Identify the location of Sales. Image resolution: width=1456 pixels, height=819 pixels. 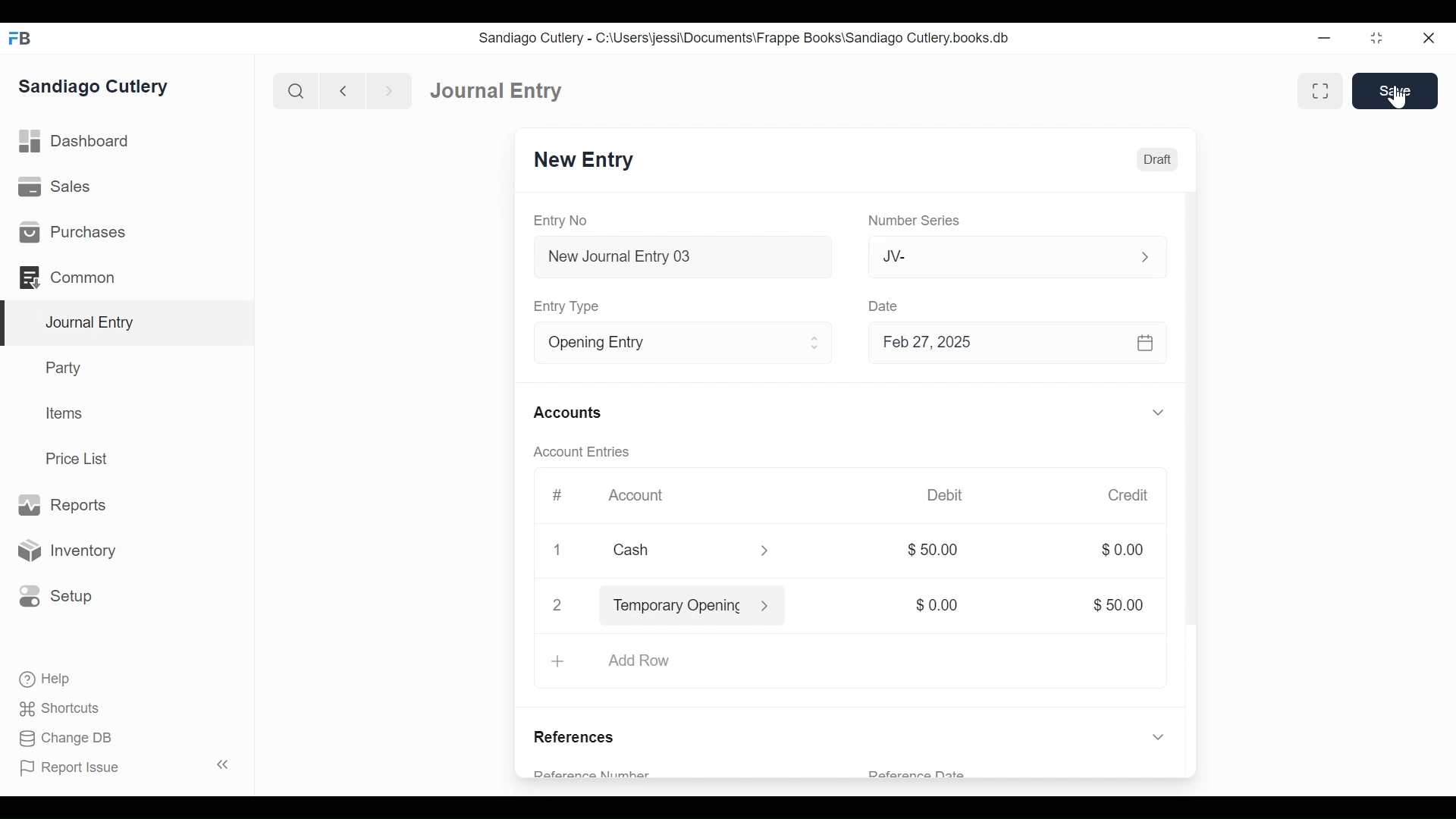
(55, 186).